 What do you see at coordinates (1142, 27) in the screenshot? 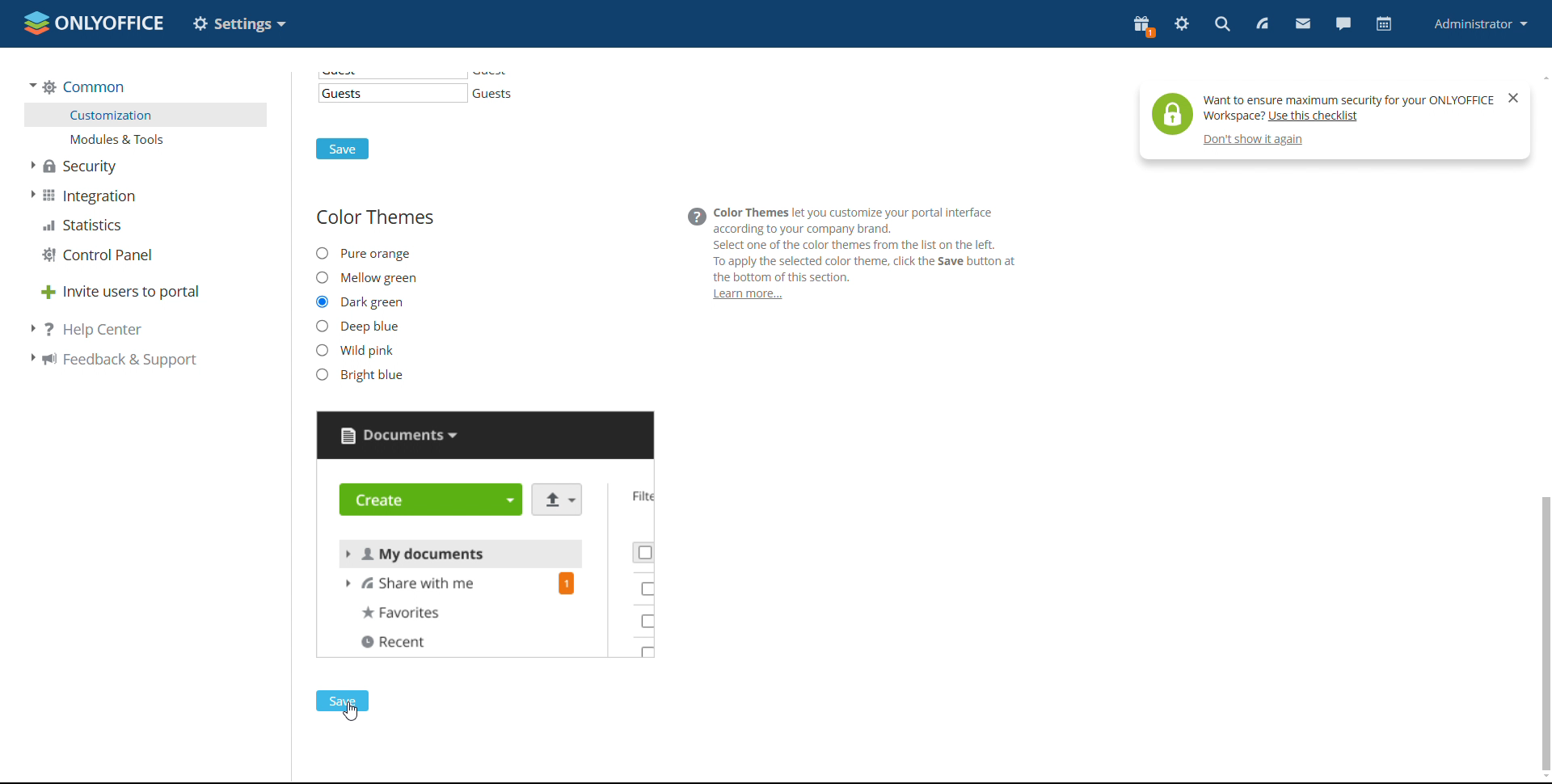
I see `present` at bounding box center [1142, 27].